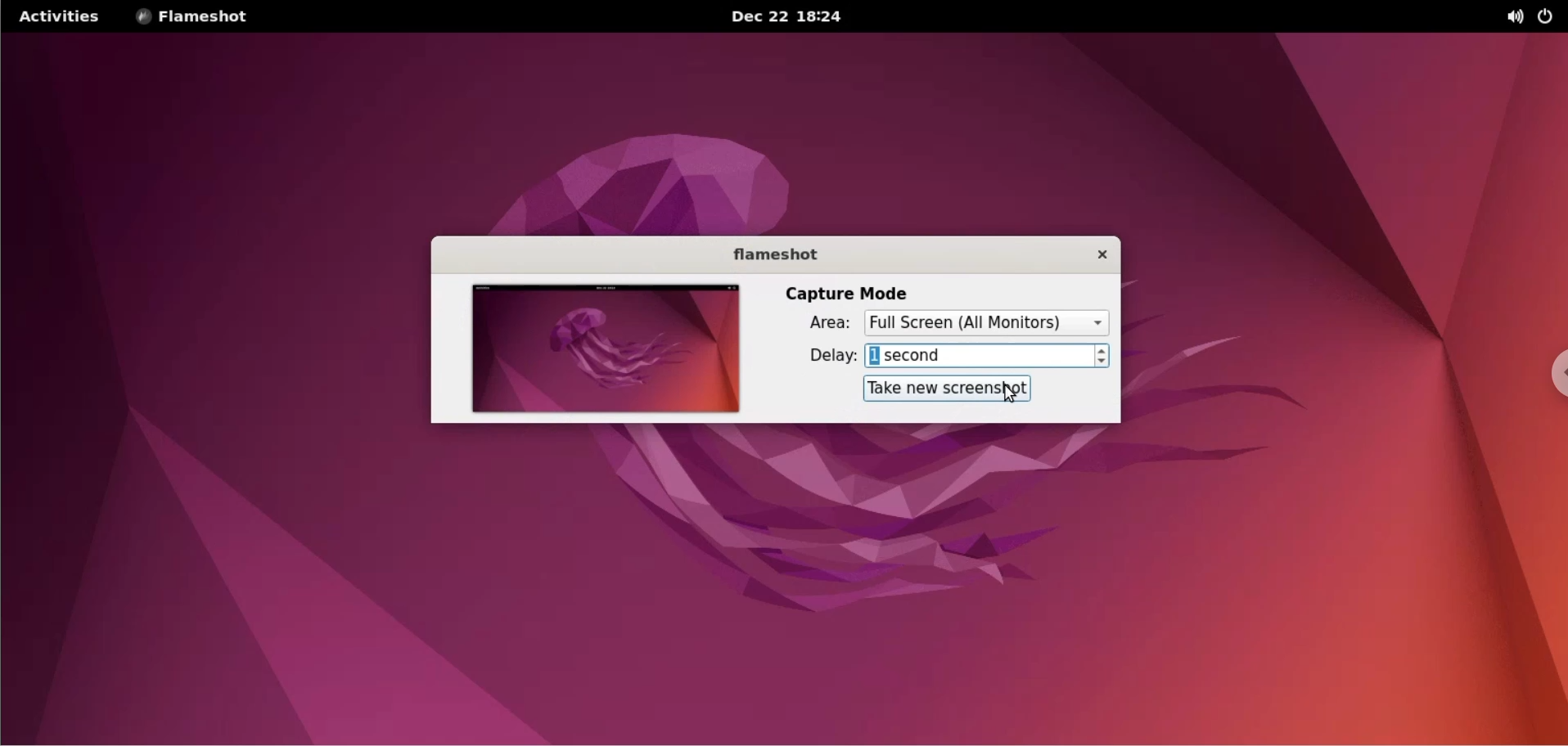  What do you see at coordinates (1106, 356) in the screenshot?
I see `increment or decrement delay` at bounding box center [1106, 356].